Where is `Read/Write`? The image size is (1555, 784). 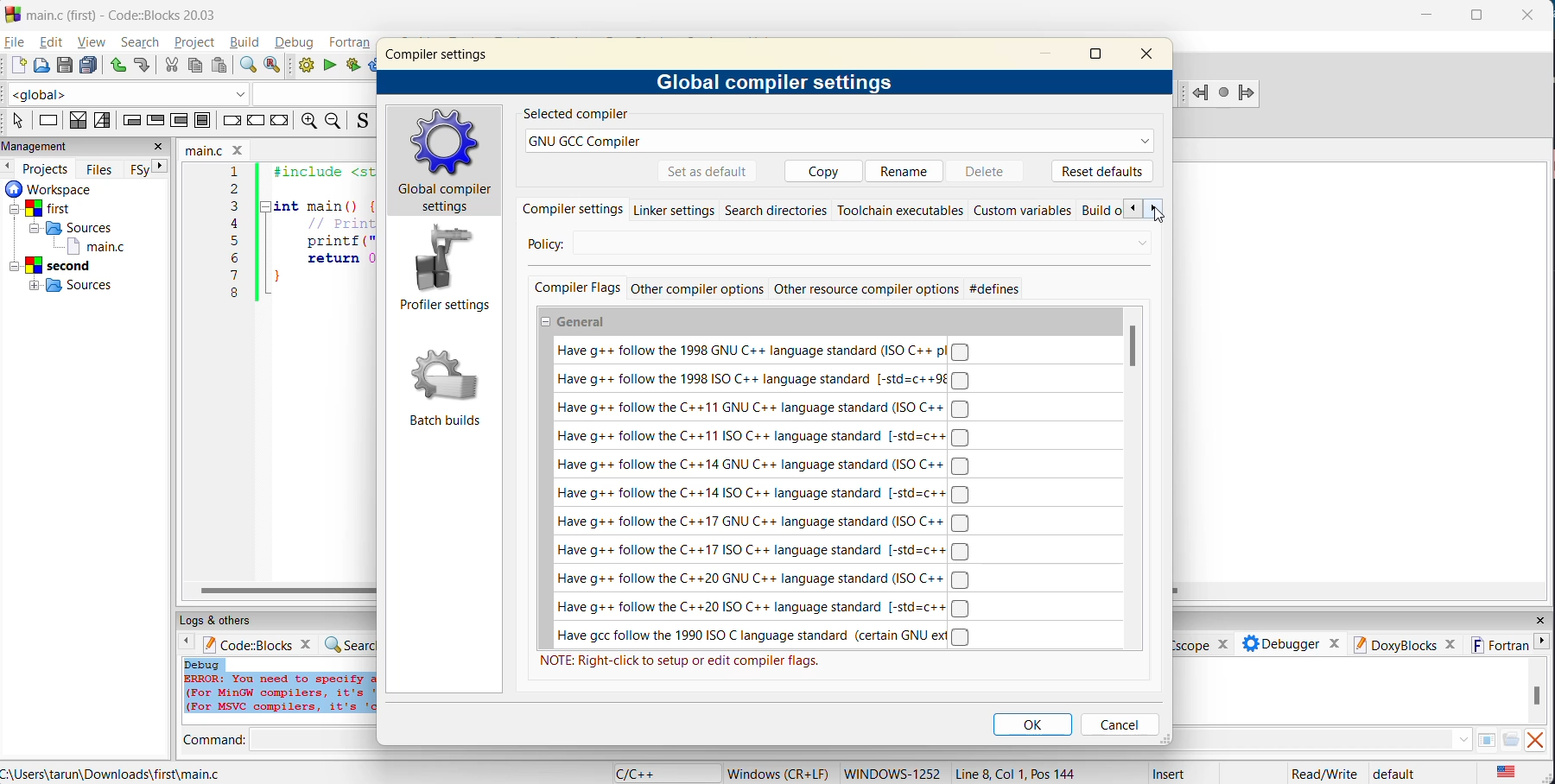 Read/Write is located at coordinates (1323, 773).